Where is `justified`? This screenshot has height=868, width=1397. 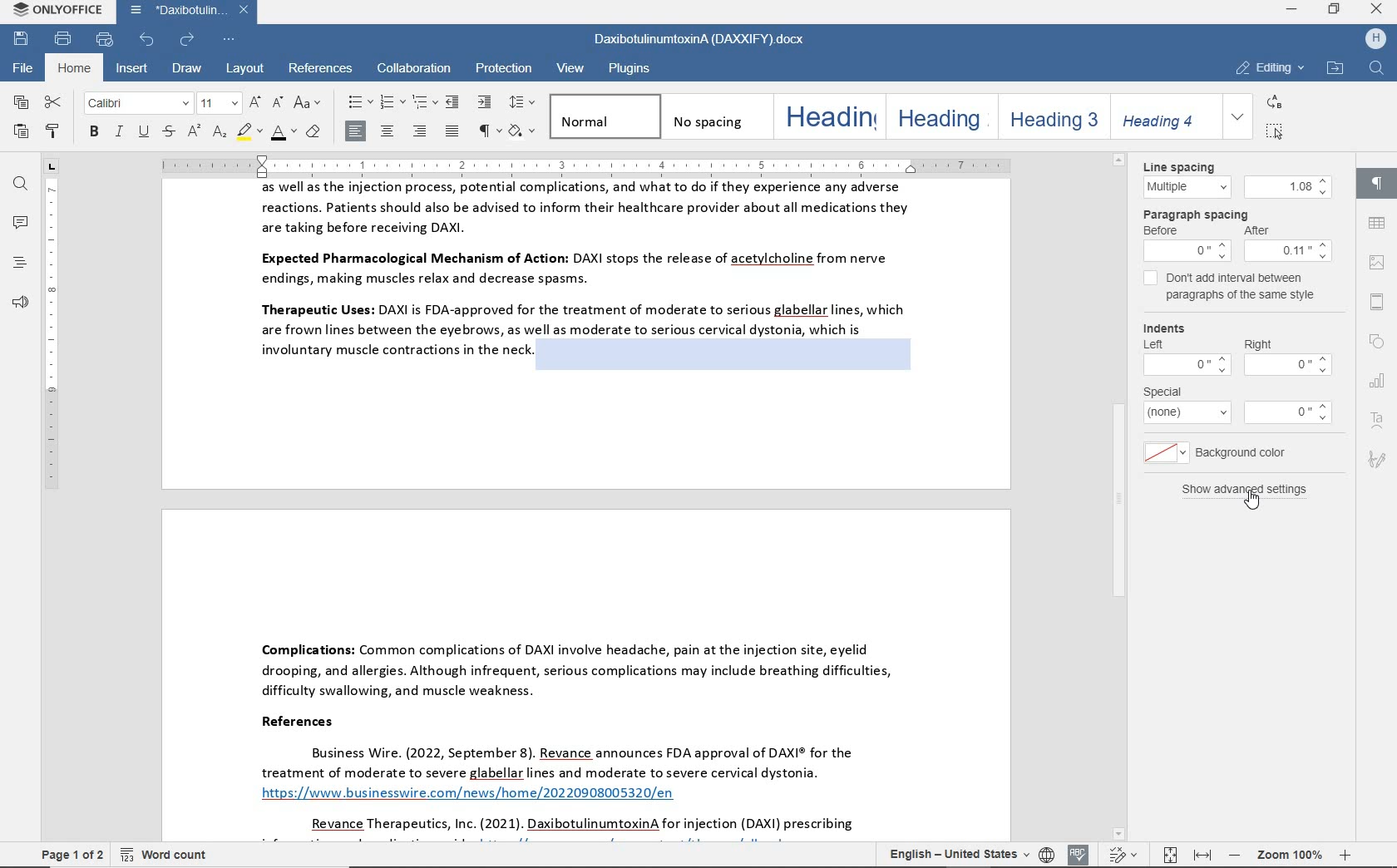
justified is located at coordinates (453, 132).